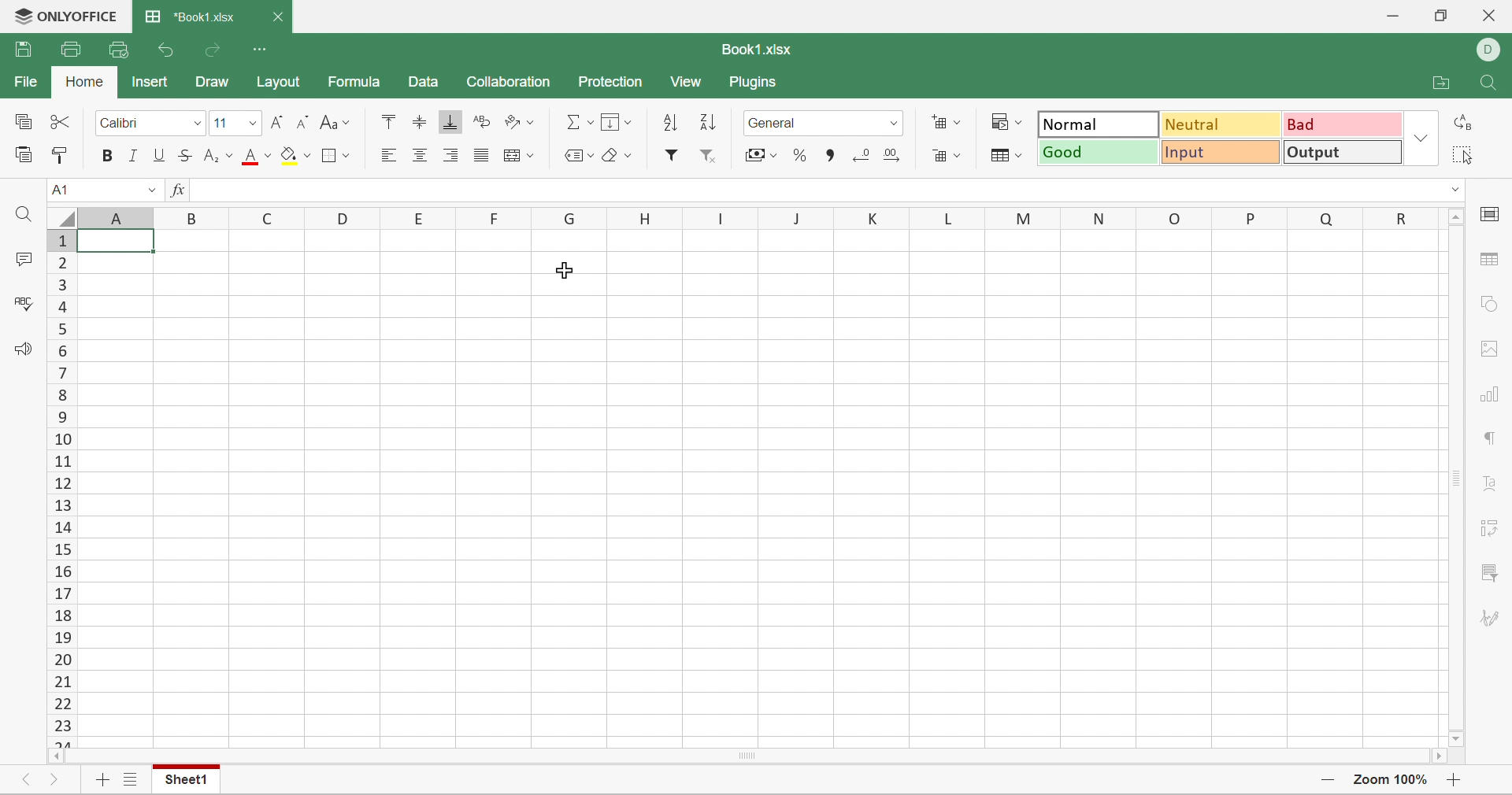  Describe the element at coordinates (269, 217) in the screenshot. I see `C` at that location.